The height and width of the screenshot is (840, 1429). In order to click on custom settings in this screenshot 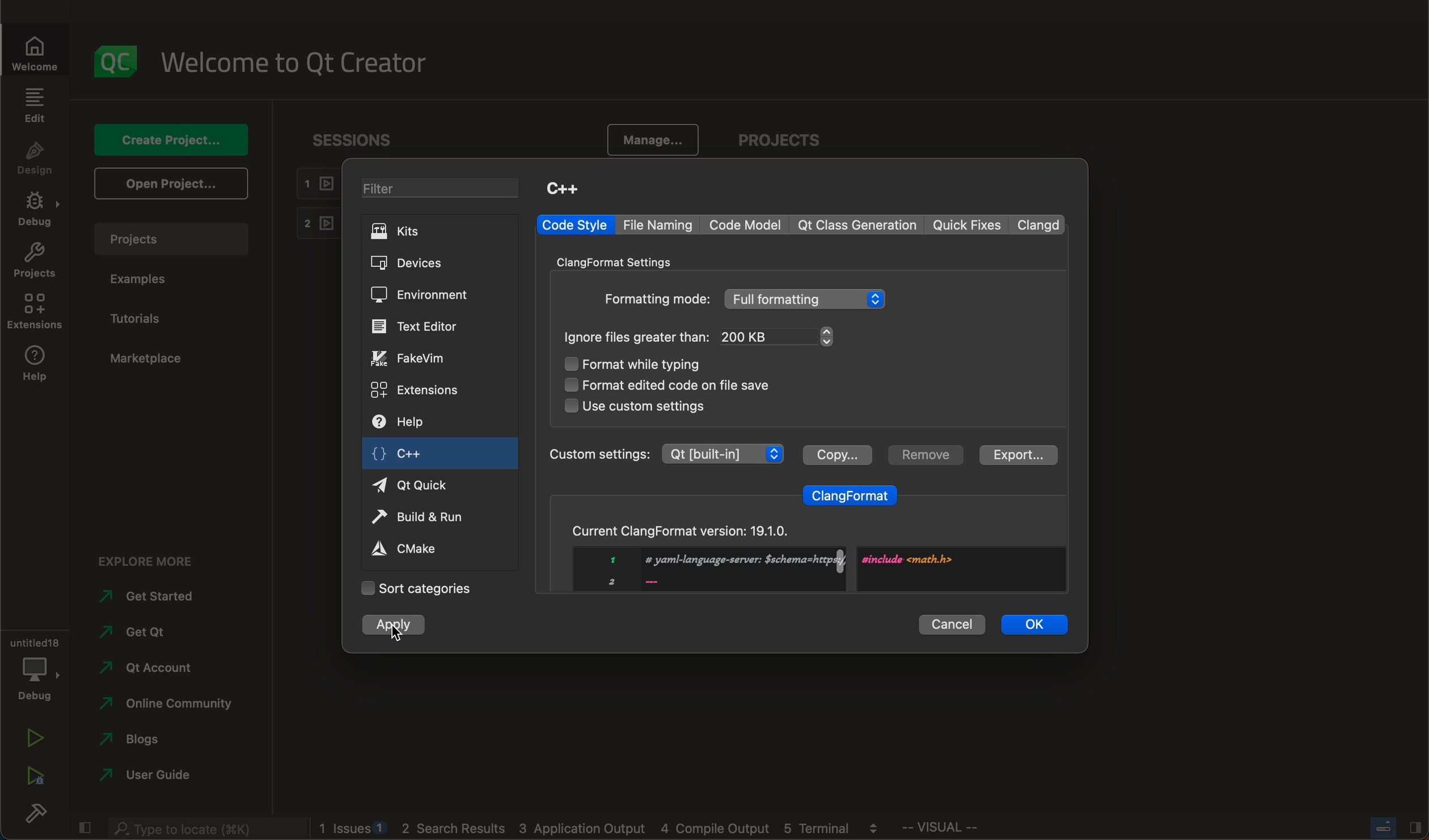, I will do `click(635, 406)`.